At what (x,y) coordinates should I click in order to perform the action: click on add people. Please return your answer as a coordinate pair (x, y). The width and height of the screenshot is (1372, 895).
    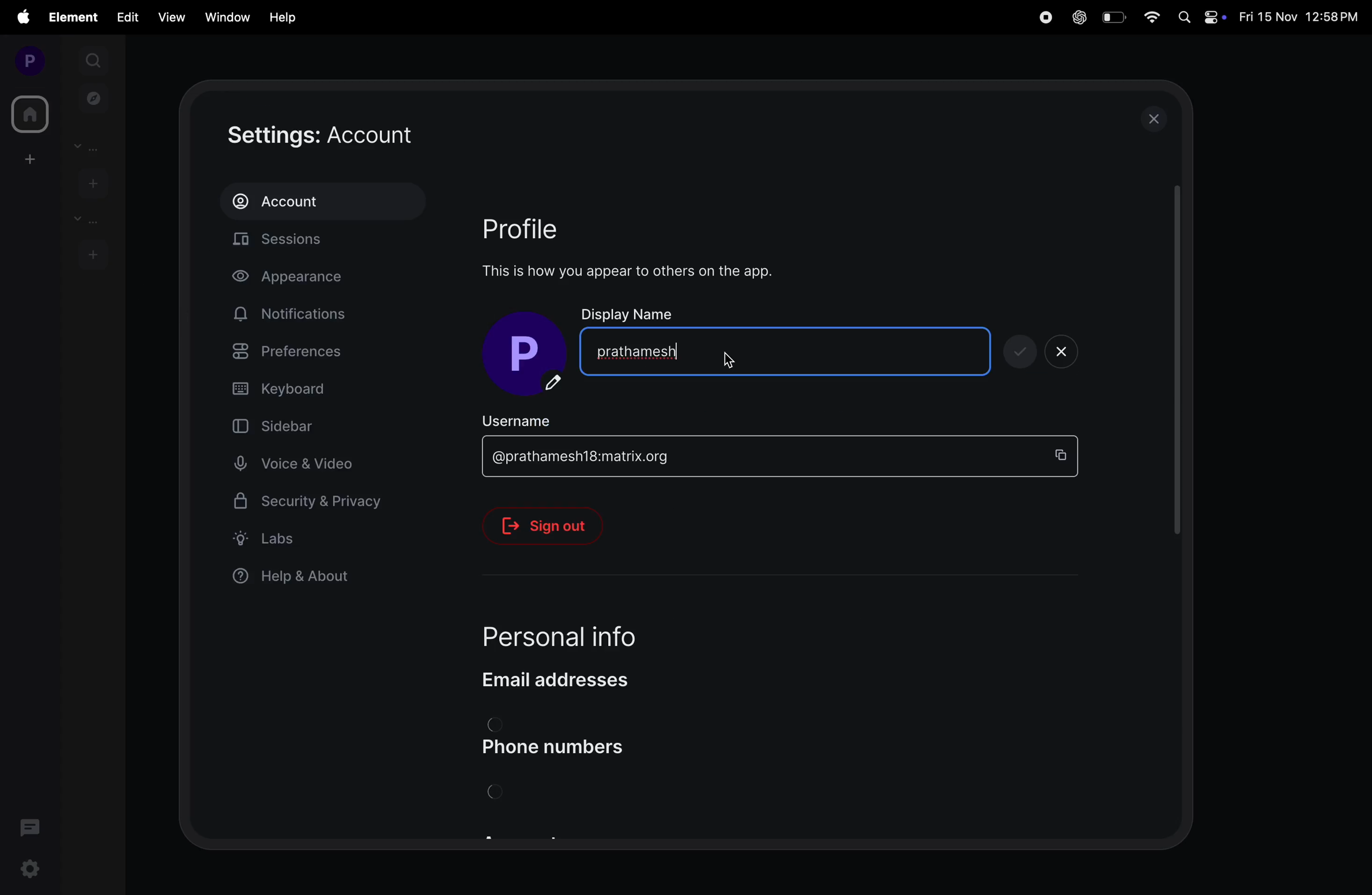
    Looking at the image, I should click on (91, 182).